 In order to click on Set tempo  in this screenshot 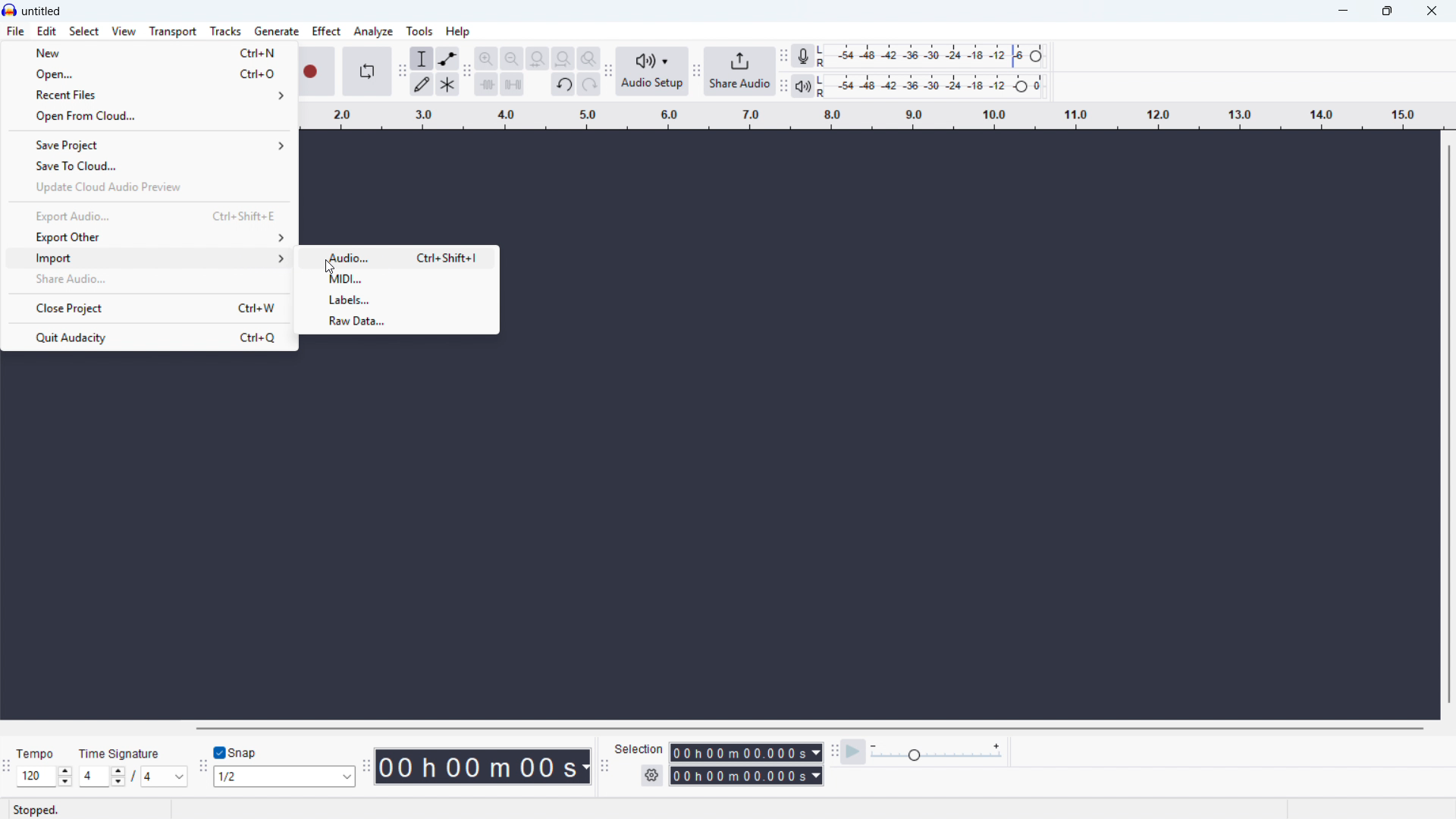, I will do `click(44, 777)`.